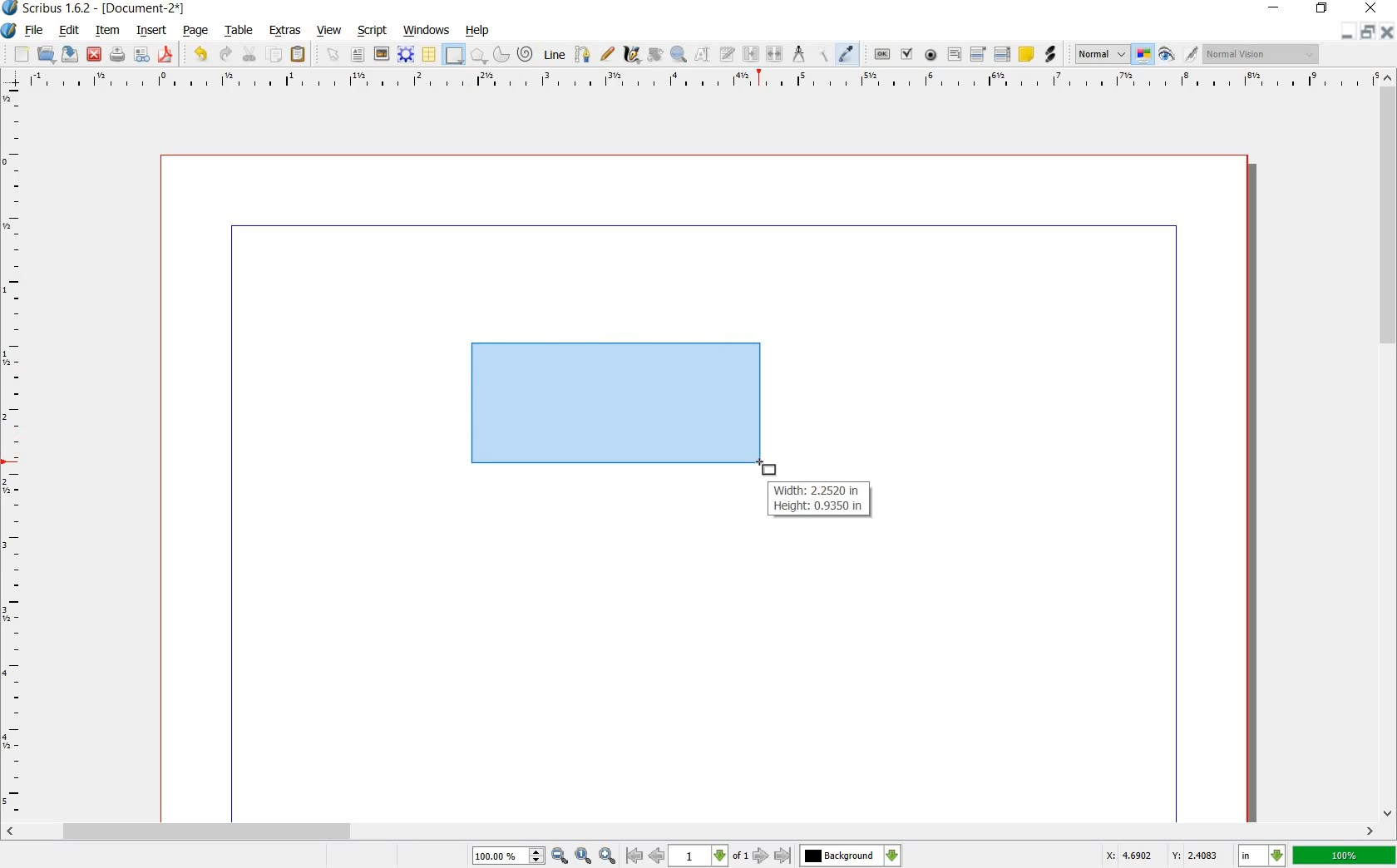 The width and height of the screenshot is (1397, 868). What do you see at coordinates (299, 54) in the screenshot?
I see `PASTE` at bounding box center [299, 54].